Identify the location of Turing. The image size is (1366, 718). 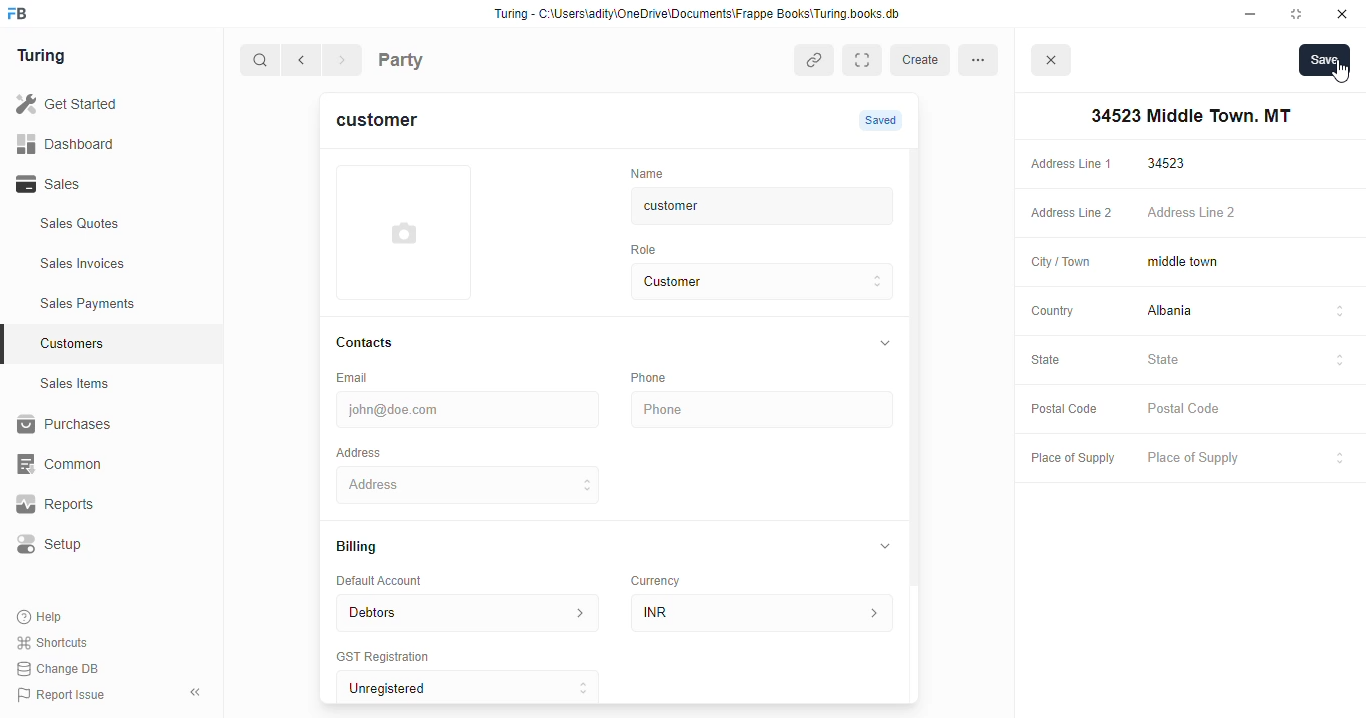
(46, 57).